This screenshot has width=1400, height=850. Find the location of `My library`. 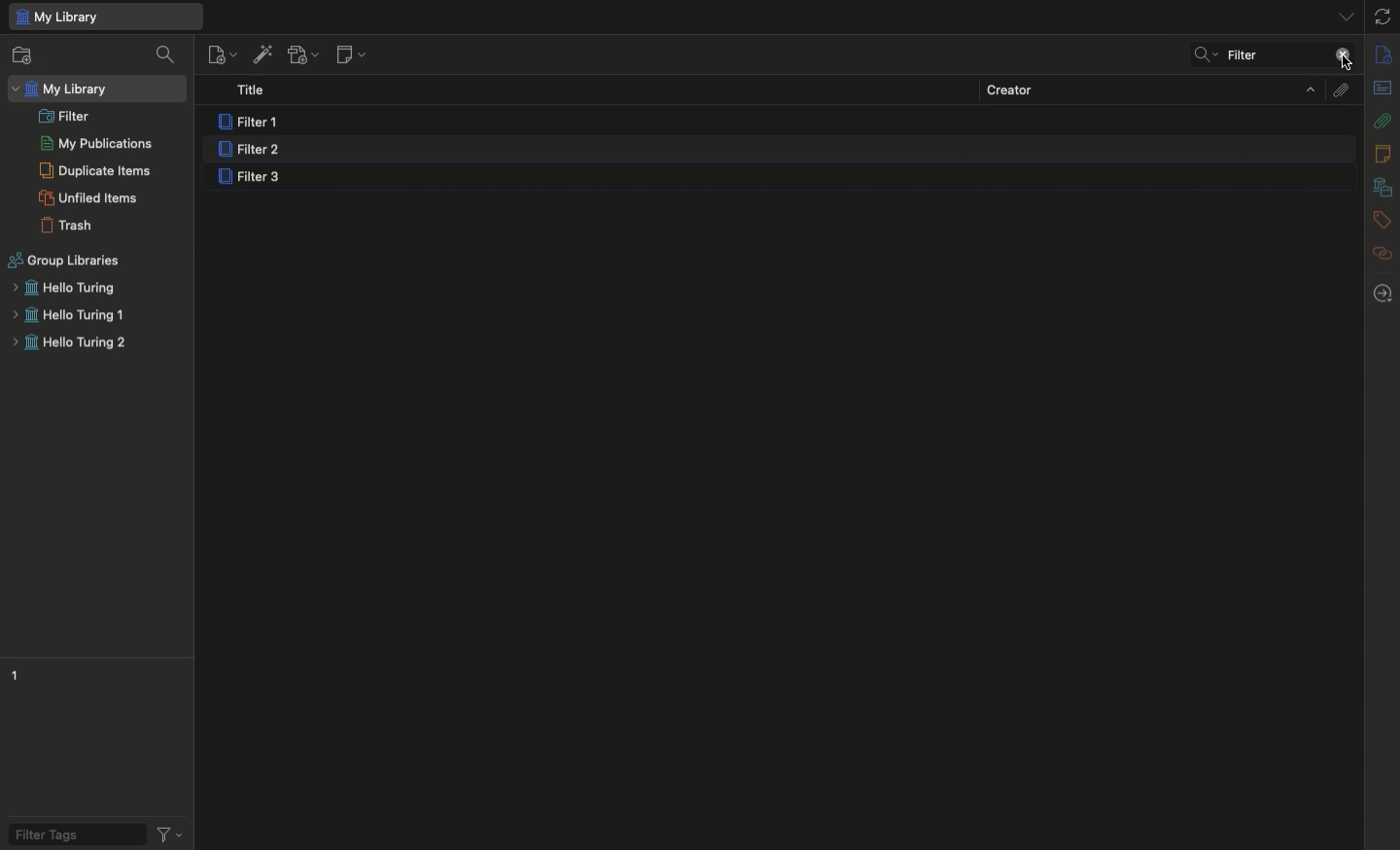

My library is located at coordinates (104, 17).